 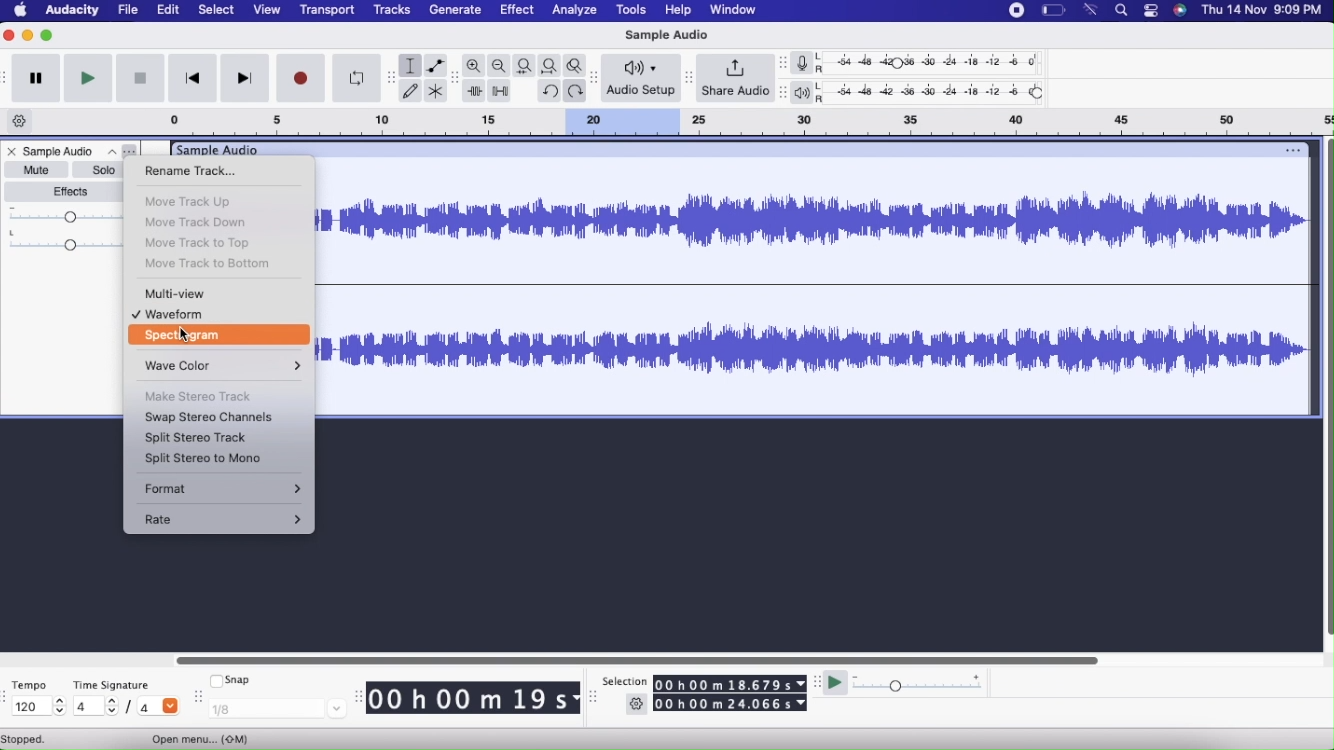 What do you see at coordinates (201, 172) in the screenshot?
I see `Rename Track` at bounding box center [201, 172].